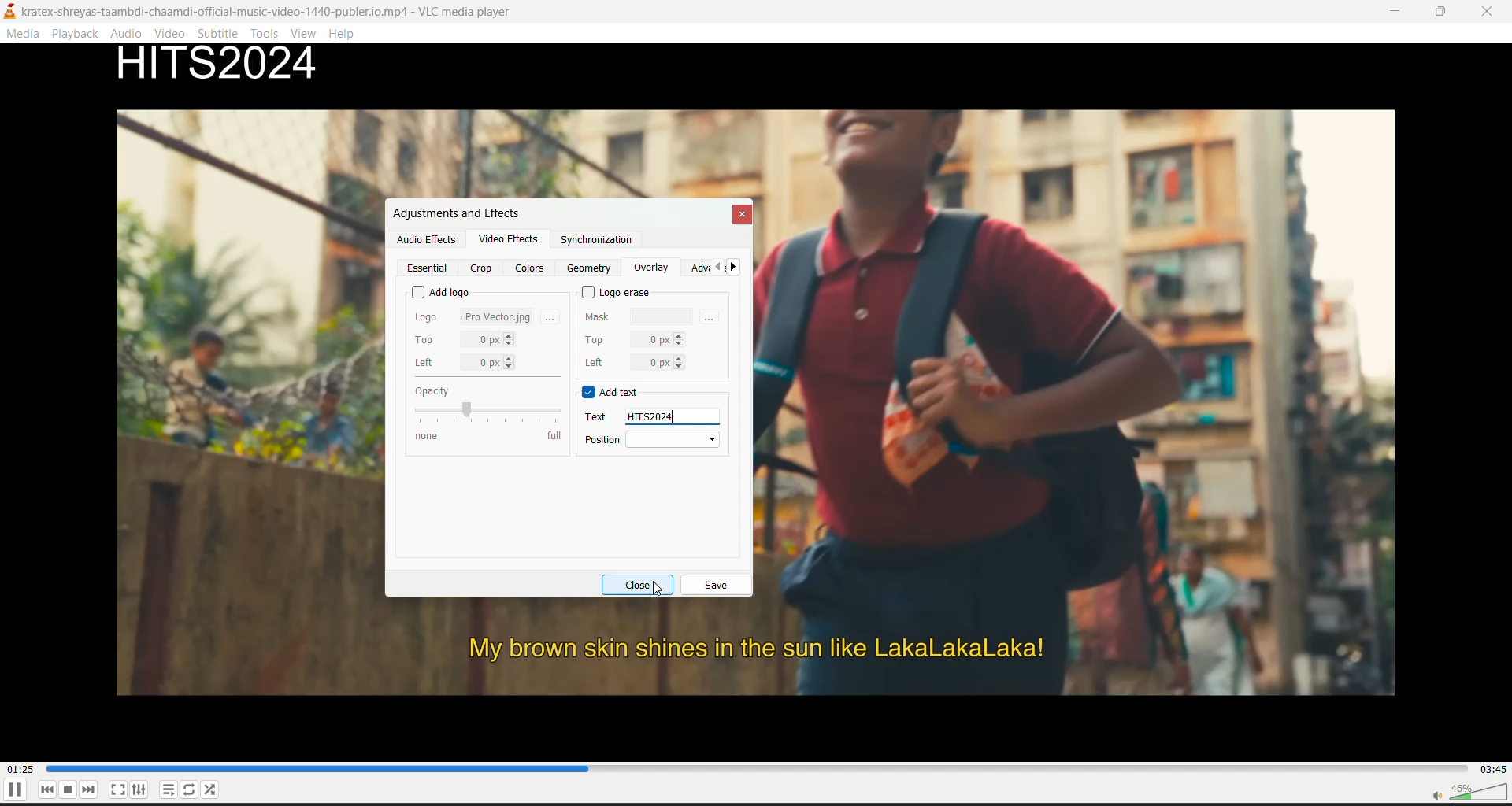  What do you see at coordinates (441, 290) in the screenshot?
I see `add logo` at bounding box center [441, 290].